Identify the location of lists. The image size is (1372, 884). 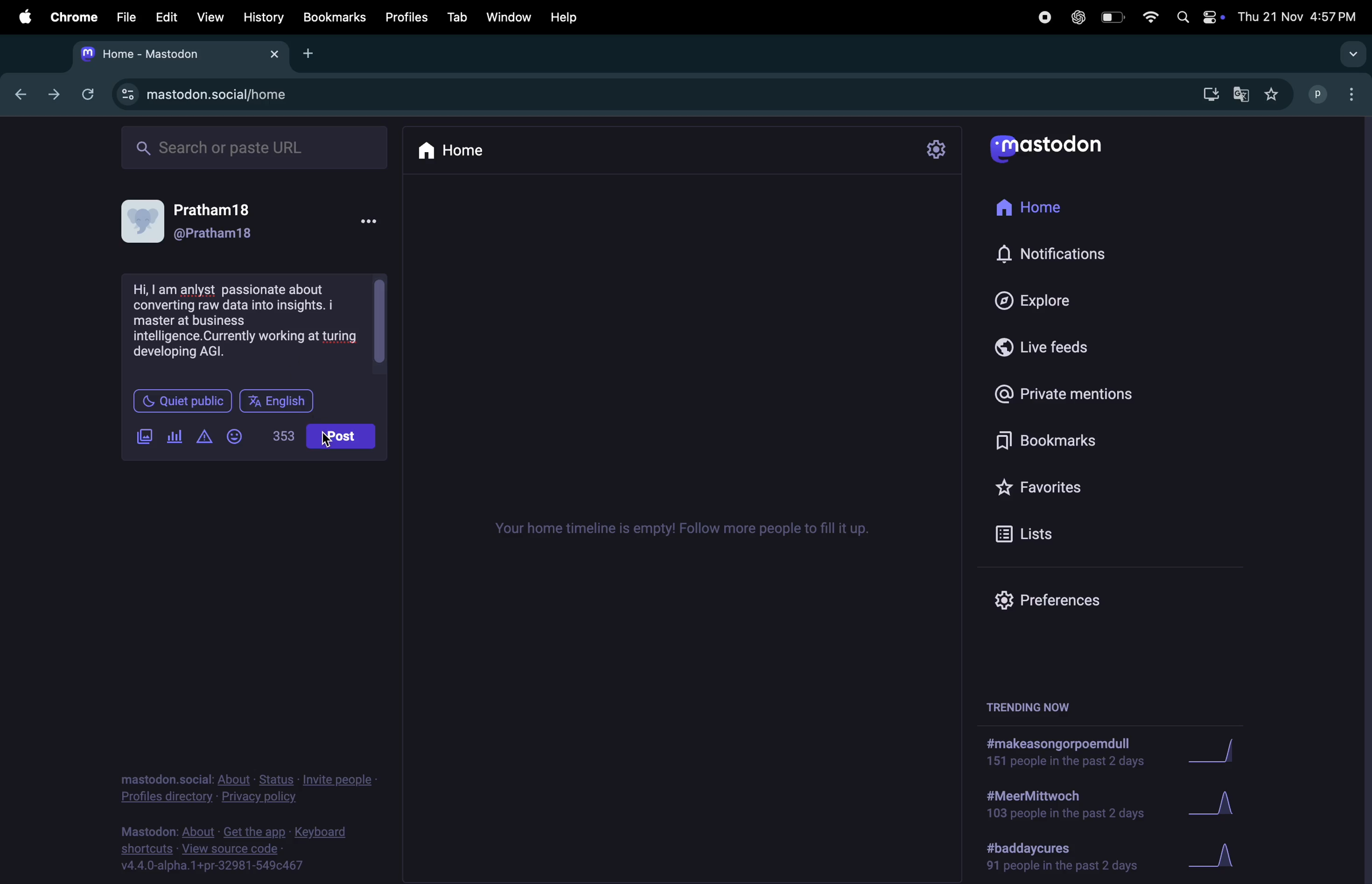
(1032, 533).